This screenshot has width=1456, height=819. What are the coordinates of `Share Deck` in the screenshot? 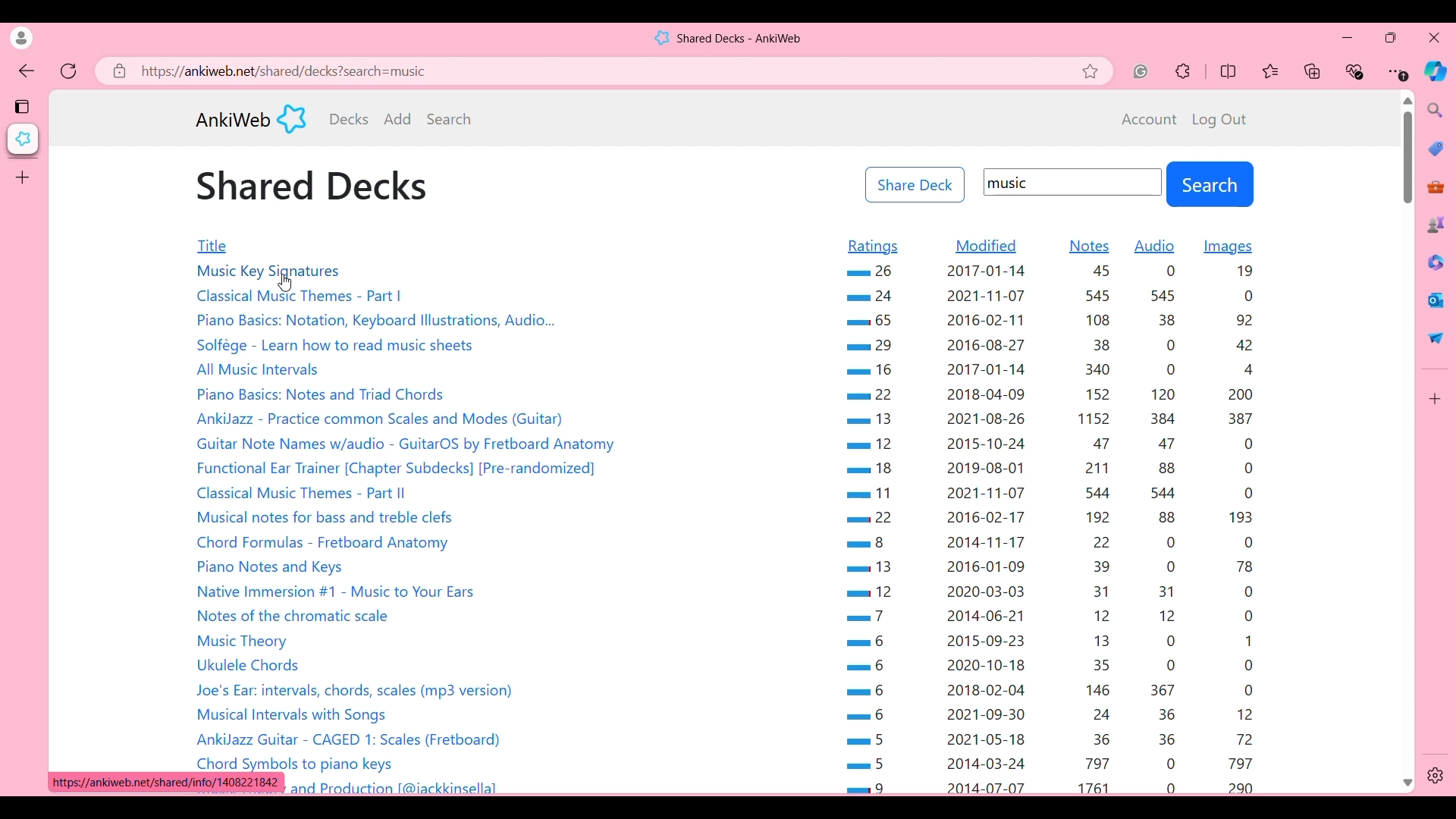 It's located at (915, 185).